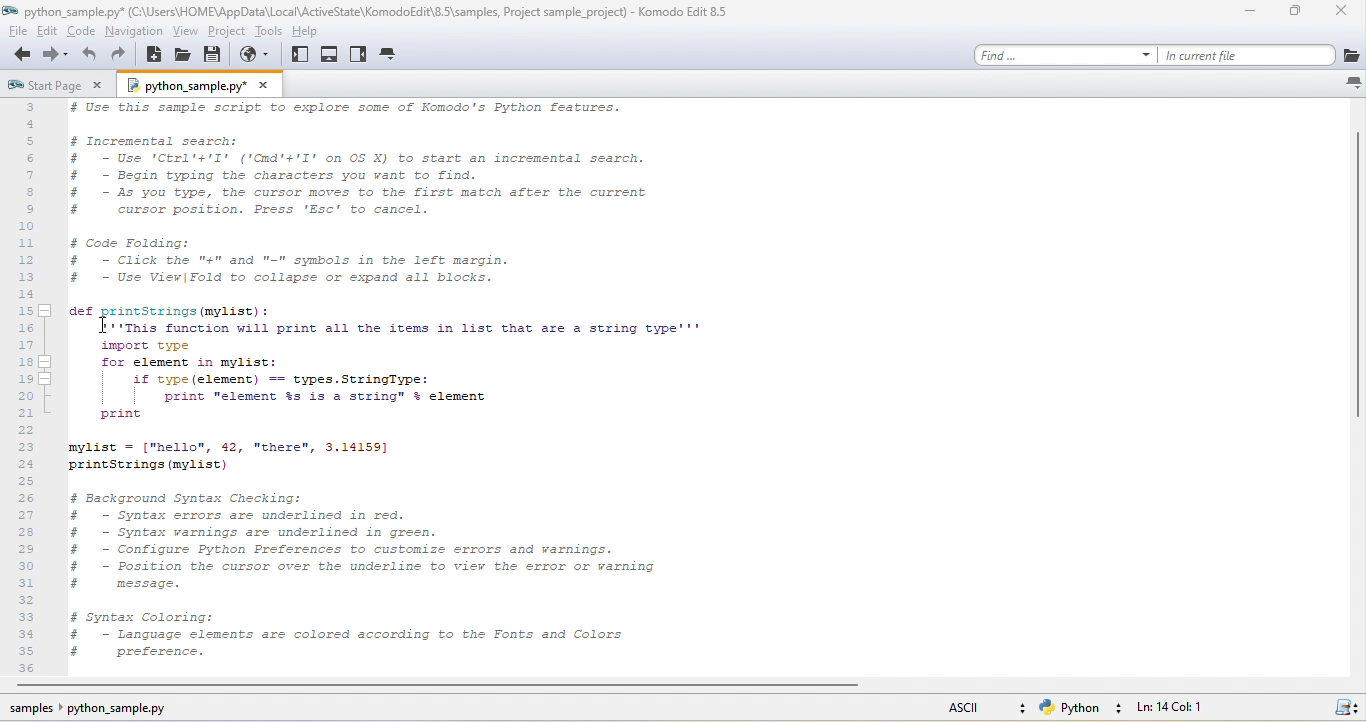 This screenshot has width=1366, height=722. I want to click on tools, so click(273, 32).